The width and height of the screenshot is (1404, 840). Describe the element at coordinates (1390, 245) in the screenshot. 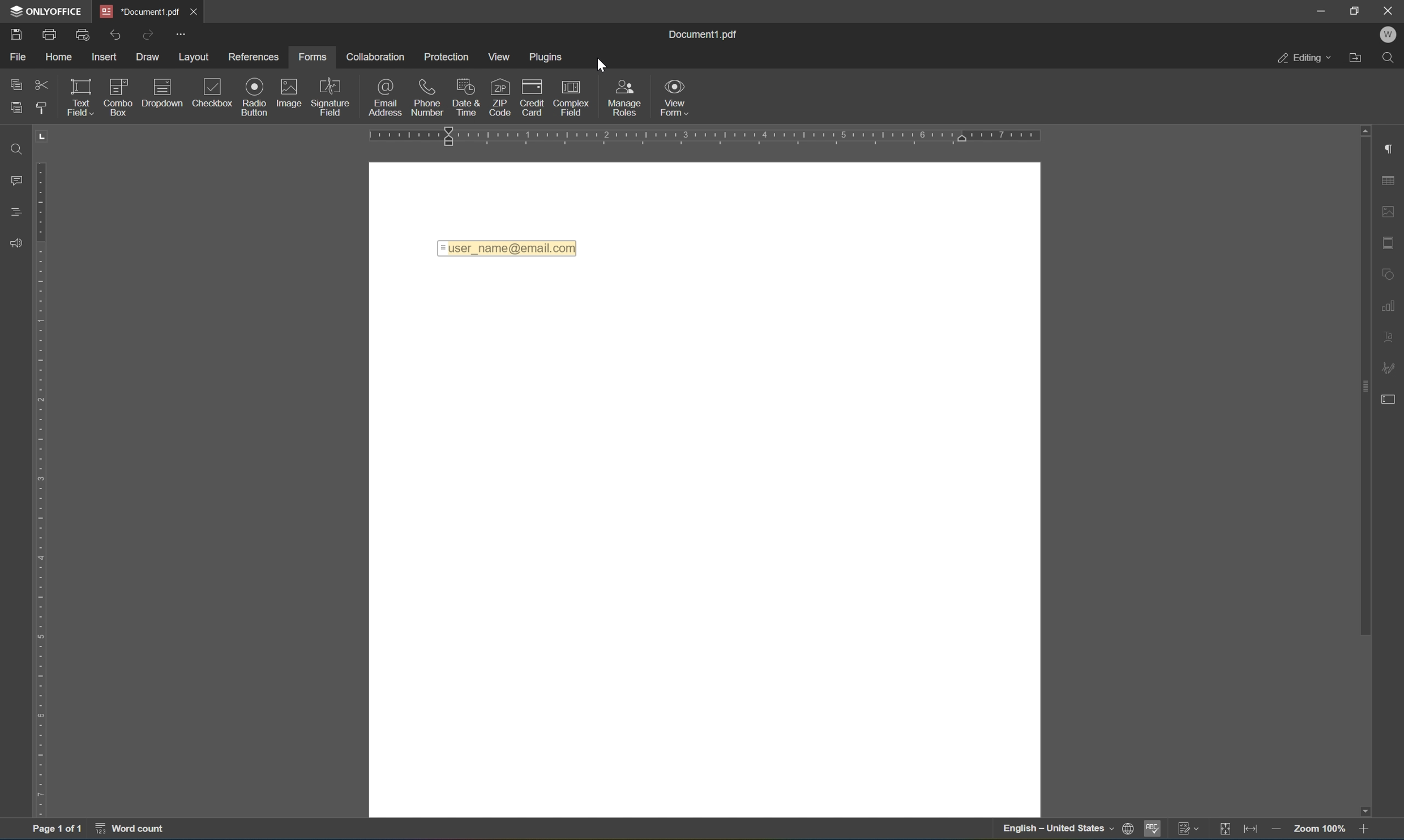

I see `header & footer settings` at that location.